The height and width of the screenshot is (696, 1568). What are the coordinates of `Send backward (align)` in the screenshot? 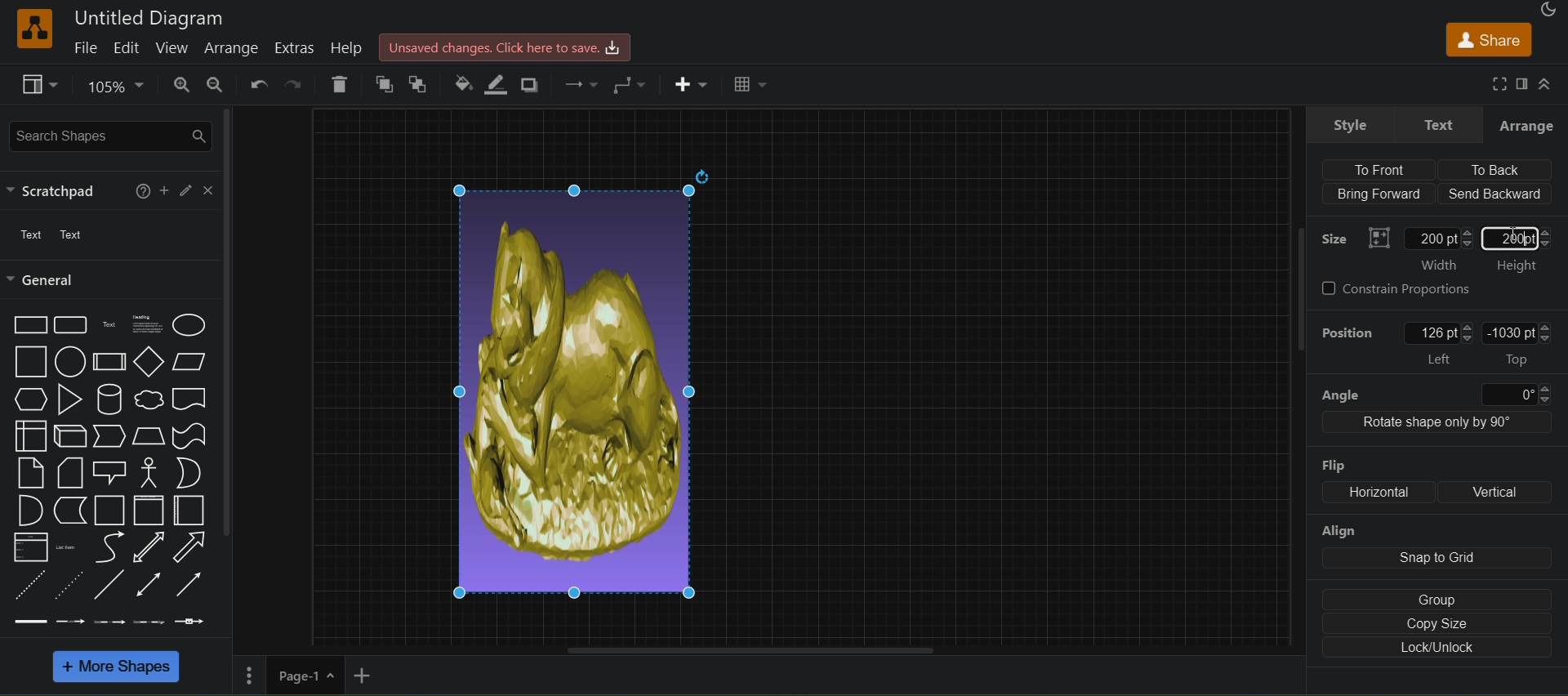 It's located at (1496, 194).